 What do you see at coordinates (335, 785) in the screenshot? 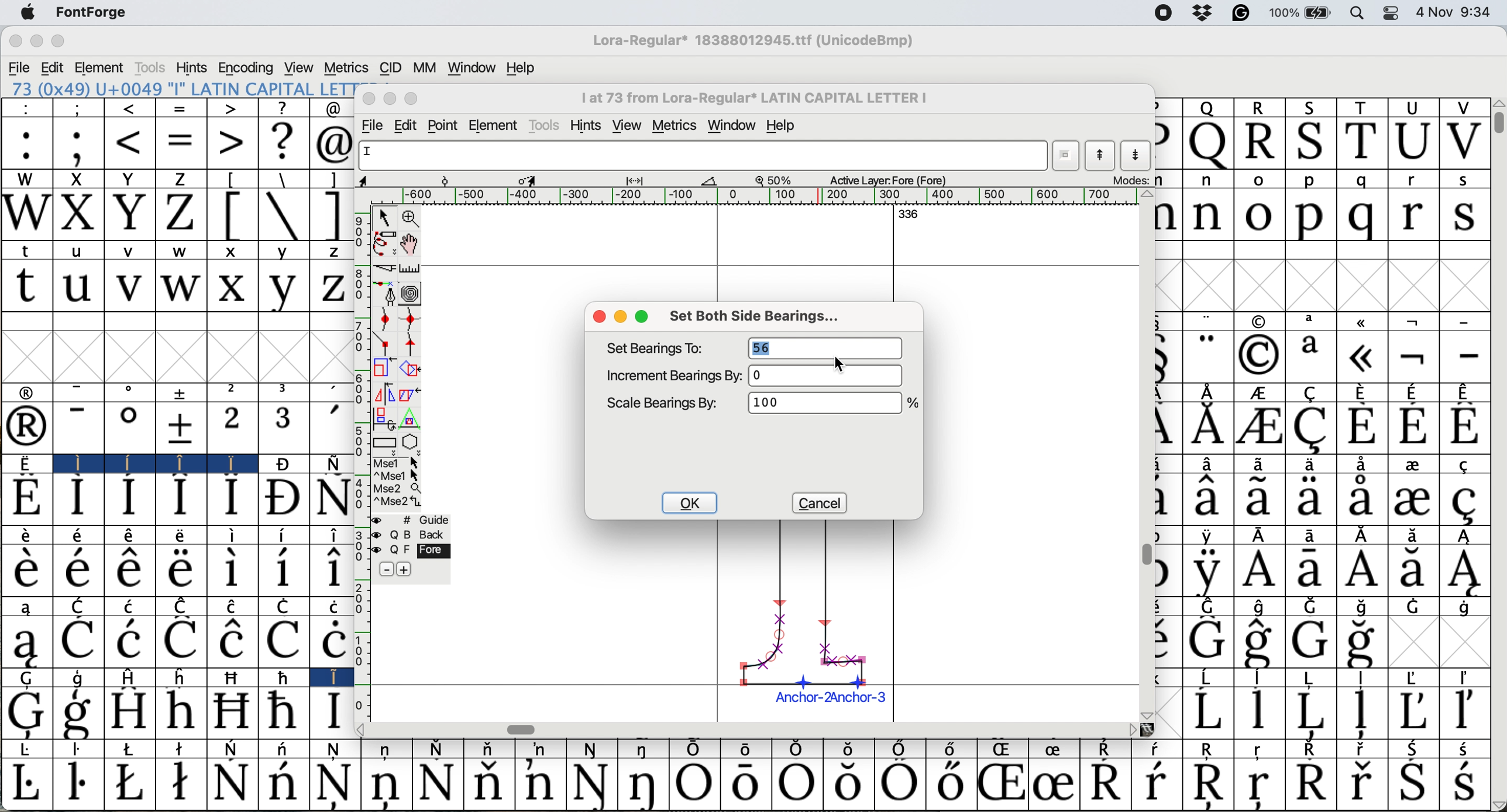
I see `Symbol` at bounding box center [335, 785].